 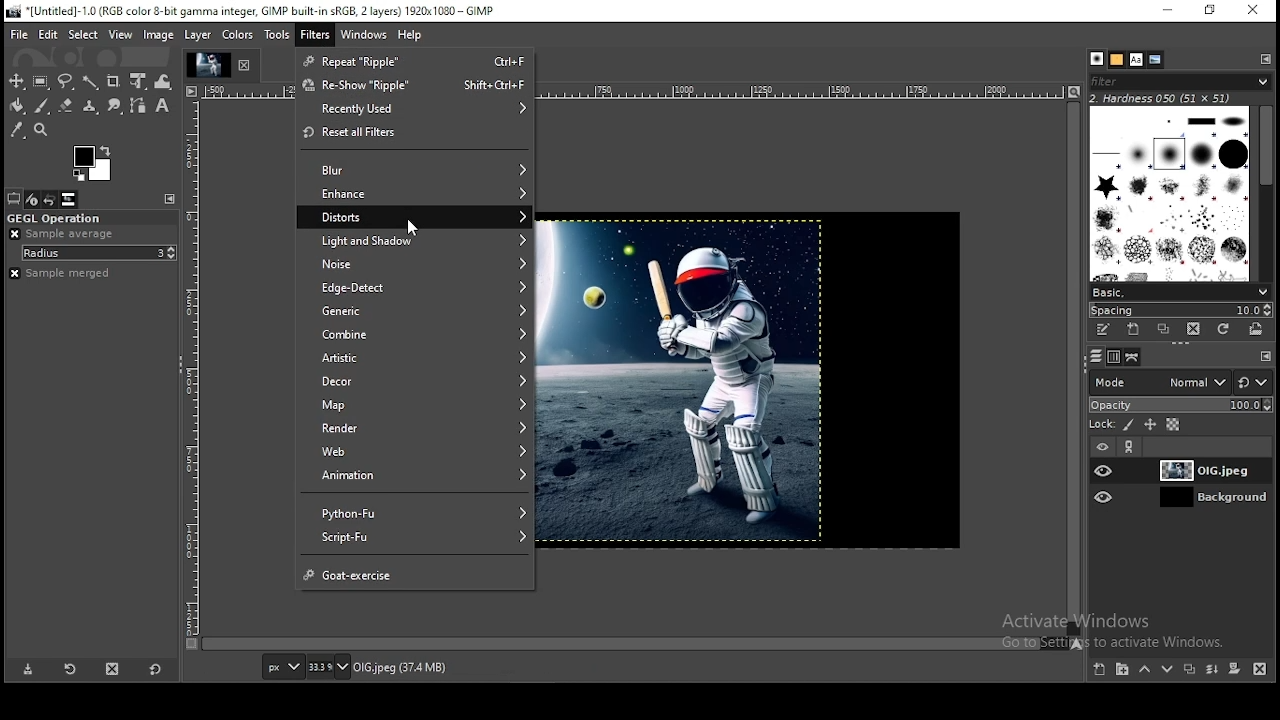 I want to click on animation, so click(x=418, y=475).